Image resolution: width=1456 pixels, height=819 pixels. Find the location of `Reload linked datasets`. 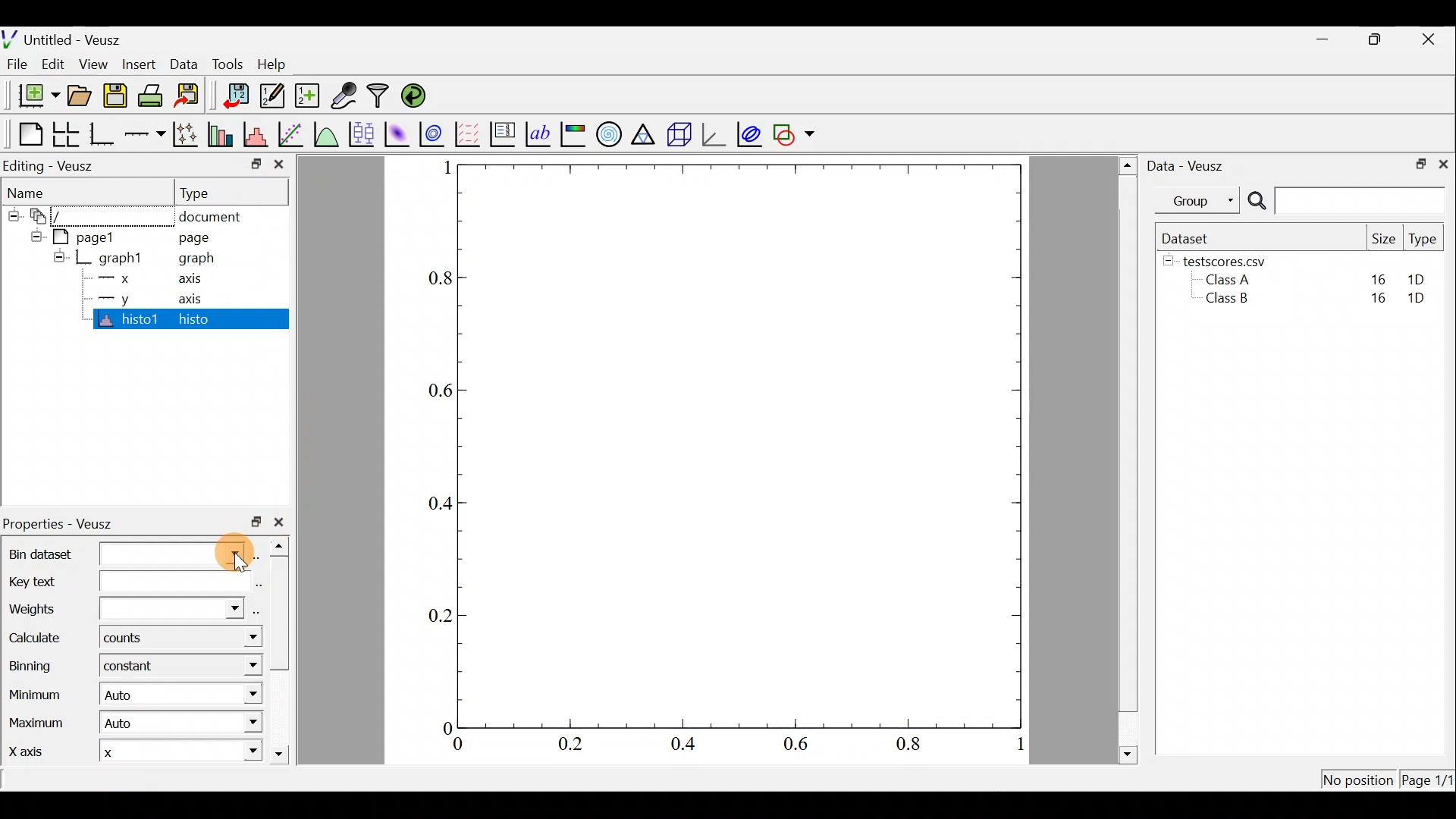

Reload linked datasets is located at coordinates (415, 96).